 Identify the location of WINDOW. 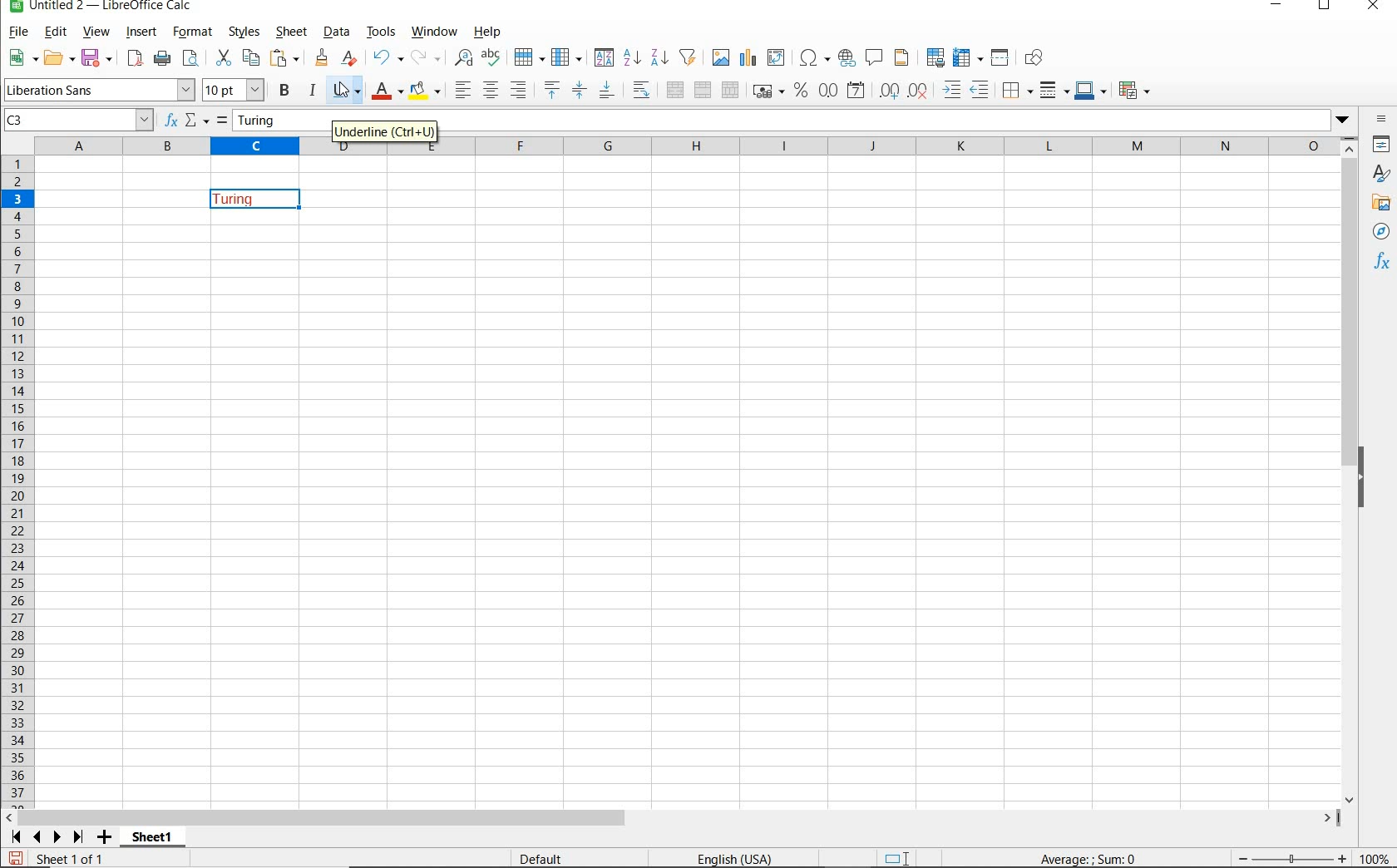
(434, 31).